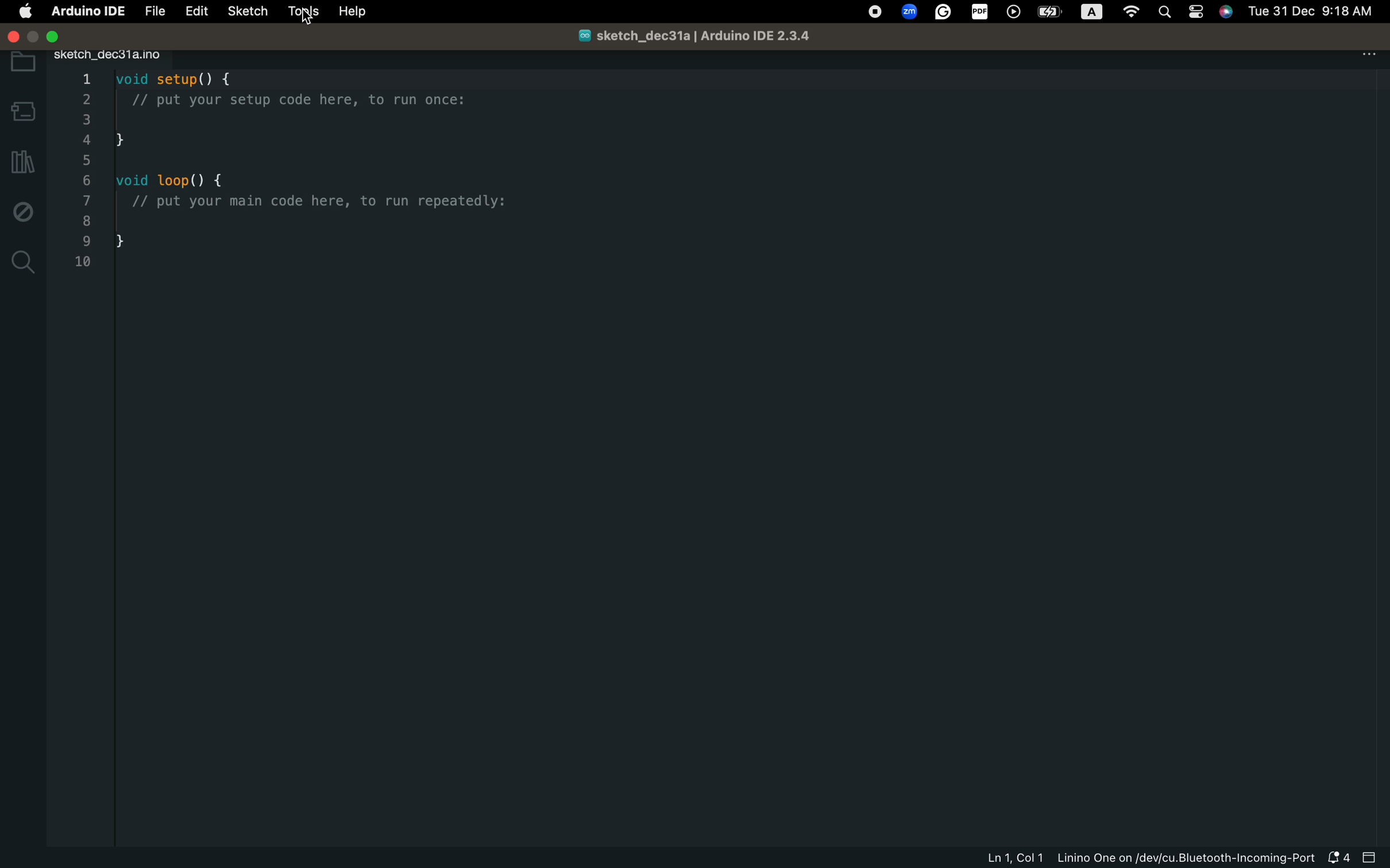 Image resolution: width=1390 pixels, height=868 pixels. I want to click on text, so click(1092, 13).